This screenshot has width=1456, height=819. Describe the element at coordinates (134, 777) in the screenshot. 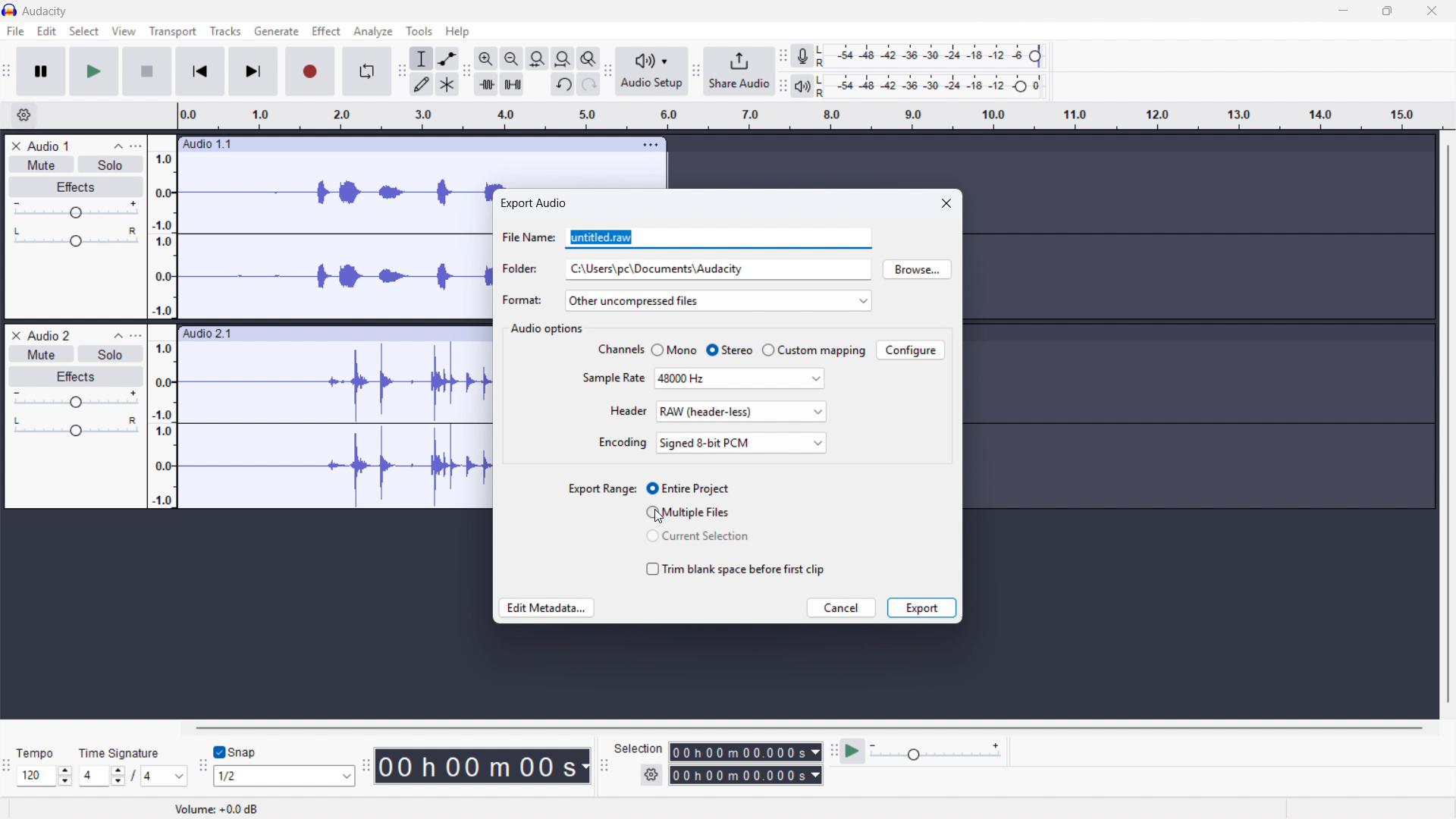

I see `Set time signature ` at that location.